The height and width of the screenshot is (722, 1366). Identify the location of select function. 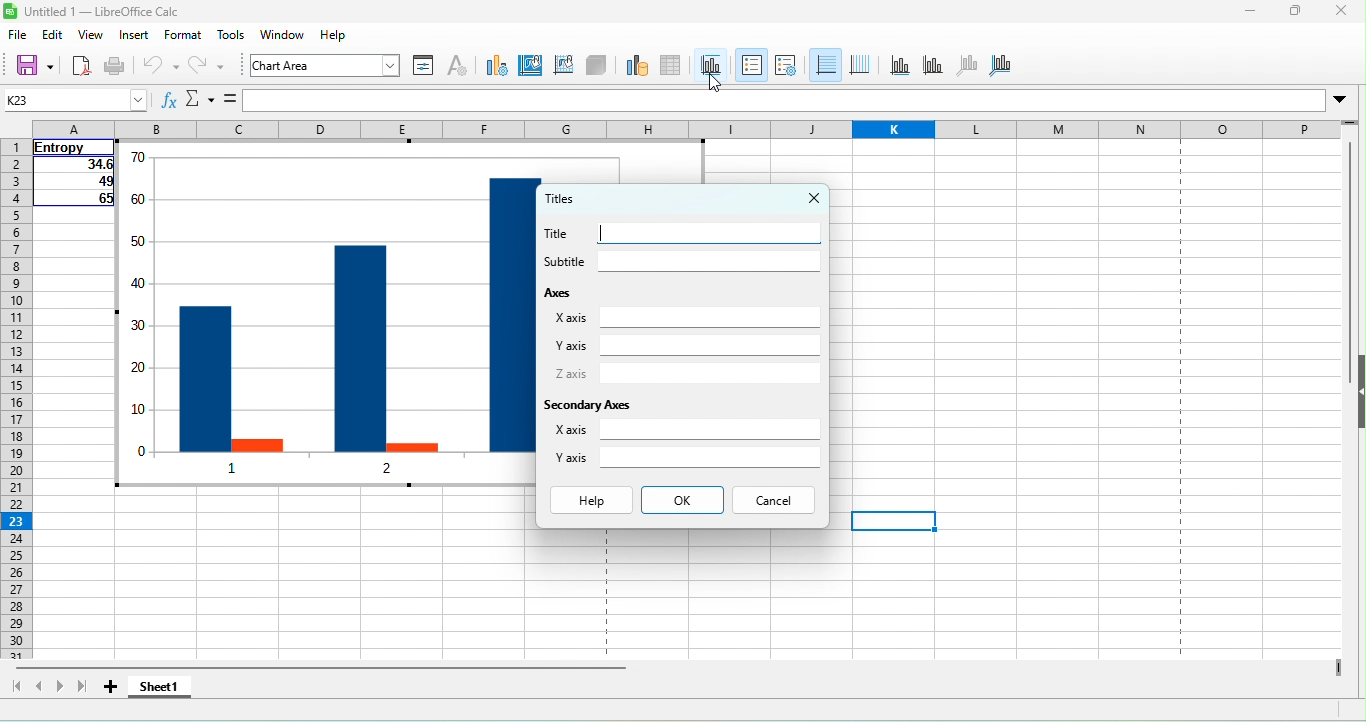
(197, 101).